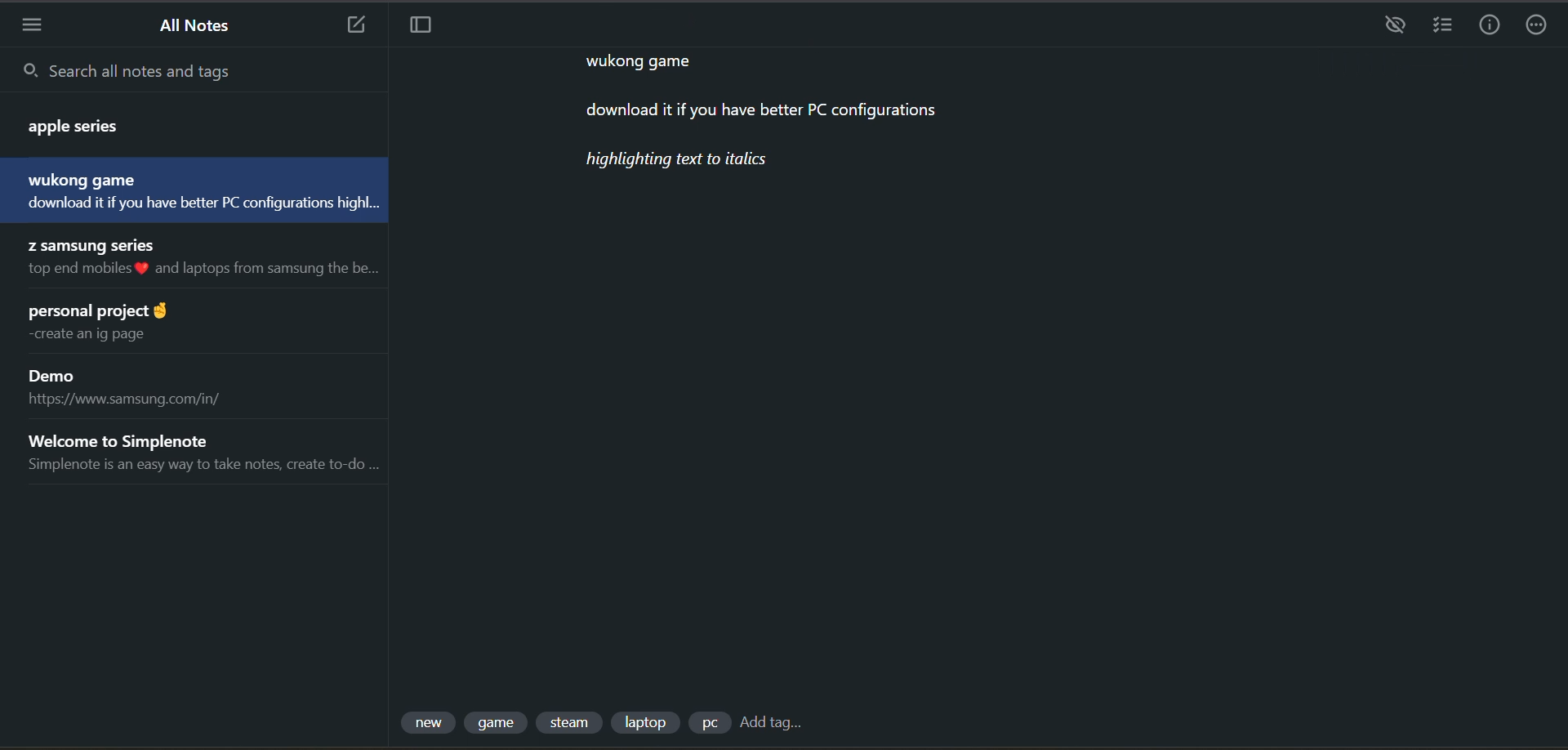 This screenshot has width=1568, height=750. What do you see at coordinates (644, 721) in the screenshot?
I see `tag 4` at bounding box center [644, 721].